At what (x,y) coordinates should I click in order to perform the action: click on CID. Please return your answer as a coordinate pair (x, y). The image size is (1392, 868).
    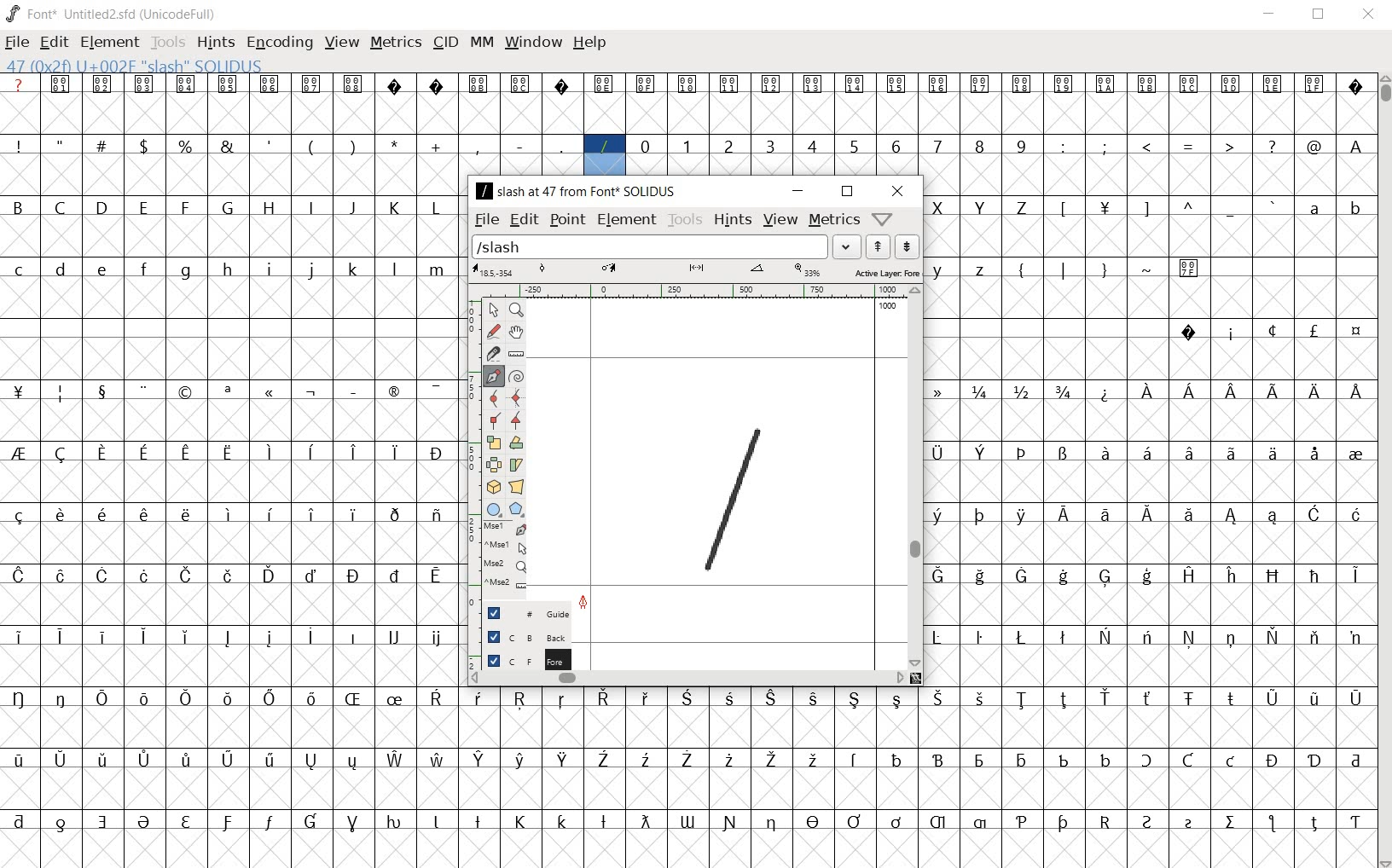
    Looking at the image, I should click on (445, 43).